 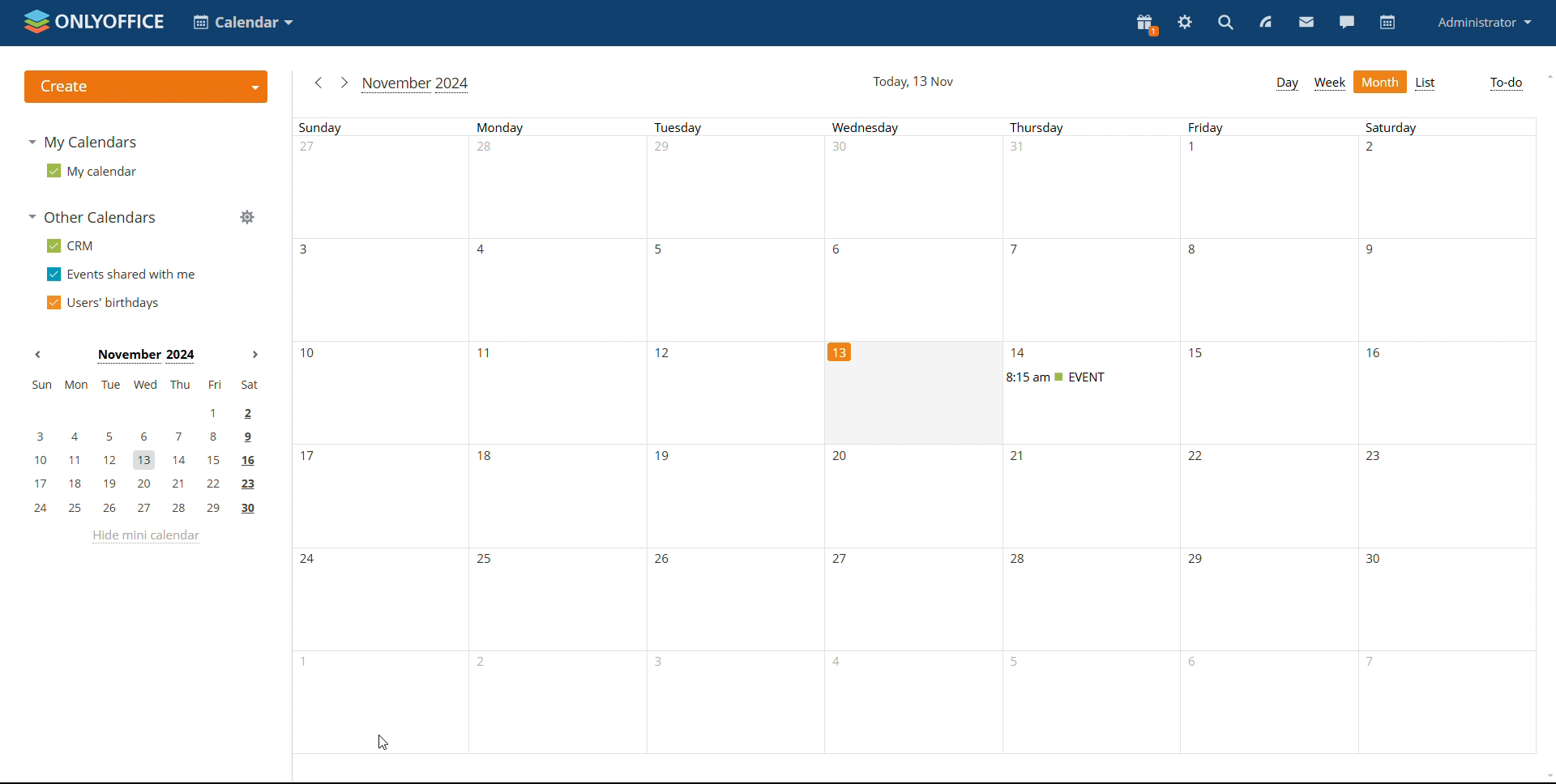 I want to click on dates of the month, so click(x=925, y=599).